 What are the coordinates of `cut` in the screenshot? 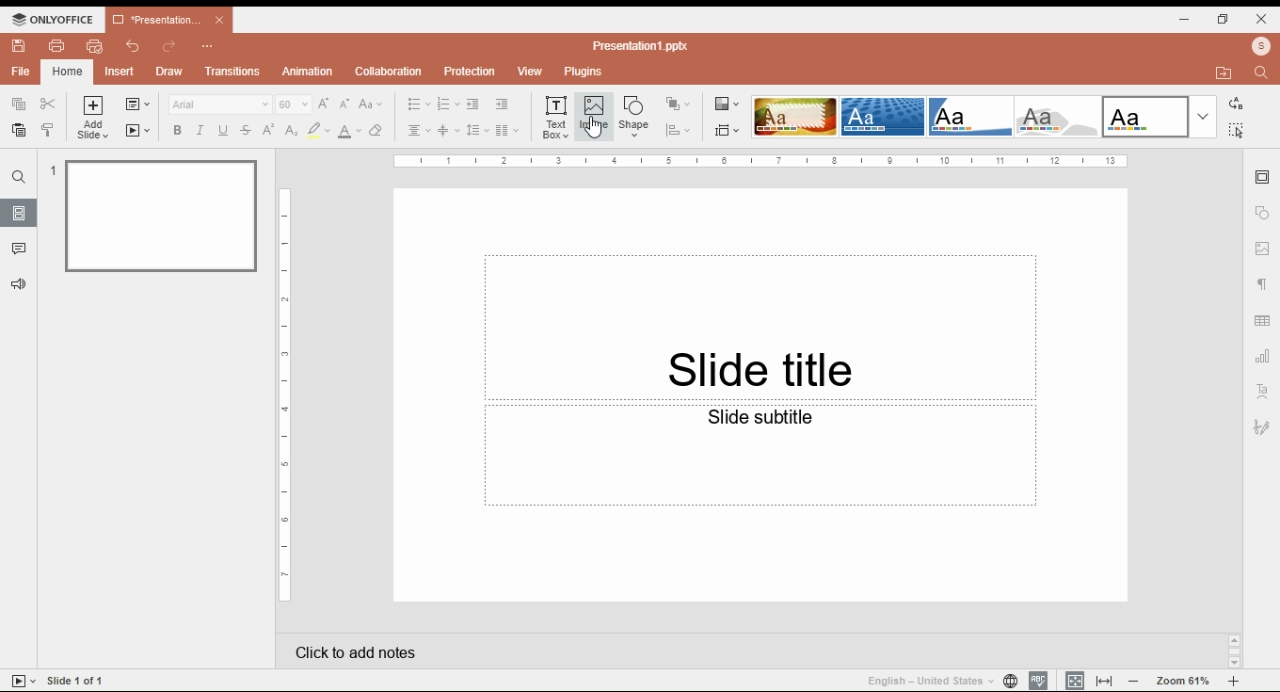 It's located at (48, 104).